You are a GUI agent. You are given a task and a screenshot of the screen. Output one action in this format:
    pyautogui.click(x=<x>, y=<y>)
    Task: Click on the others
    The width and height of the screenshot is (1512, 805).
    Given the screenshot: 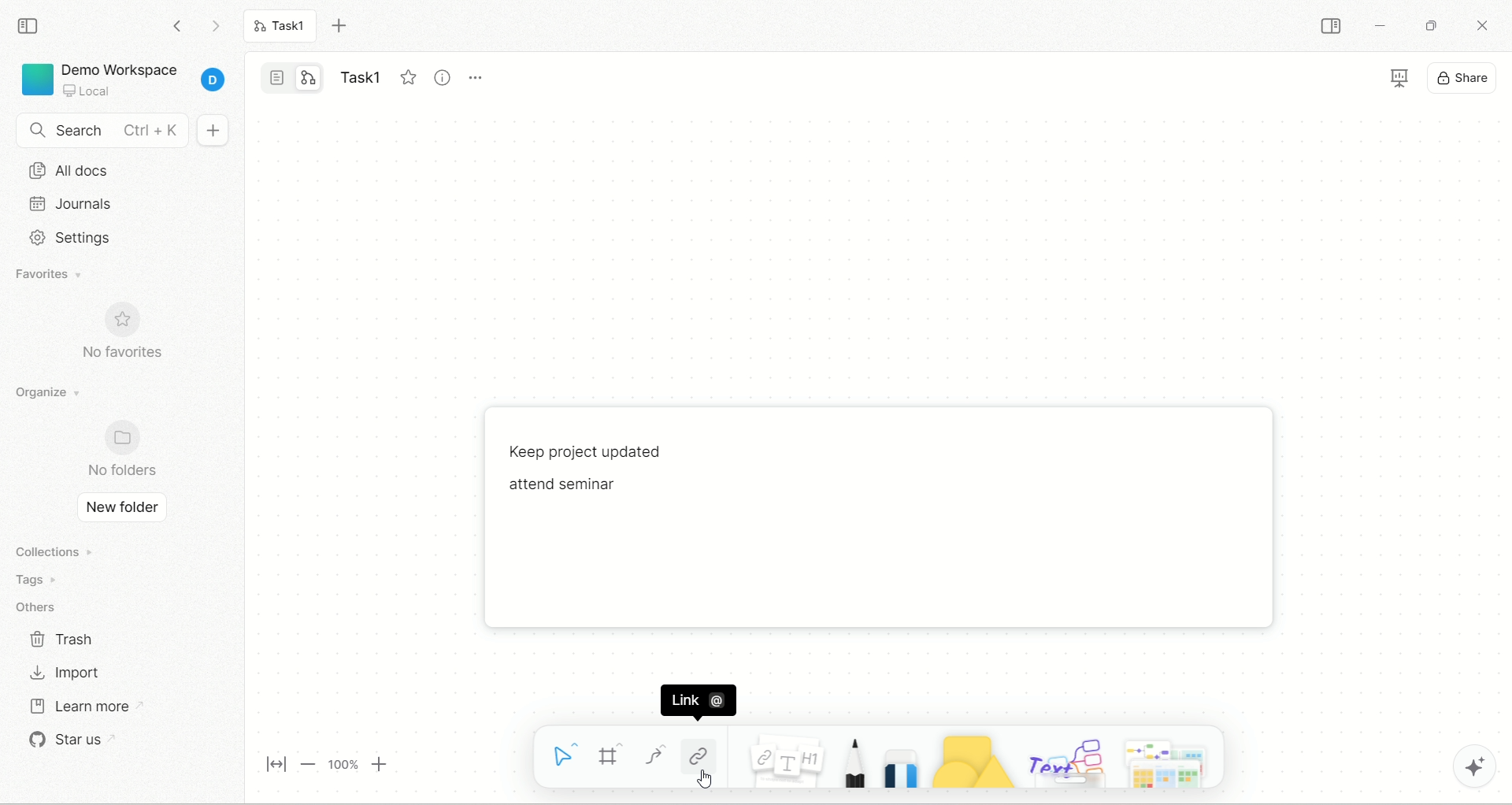 What is the action you would take?
    pyautogui.click(x=42, y=604)
    